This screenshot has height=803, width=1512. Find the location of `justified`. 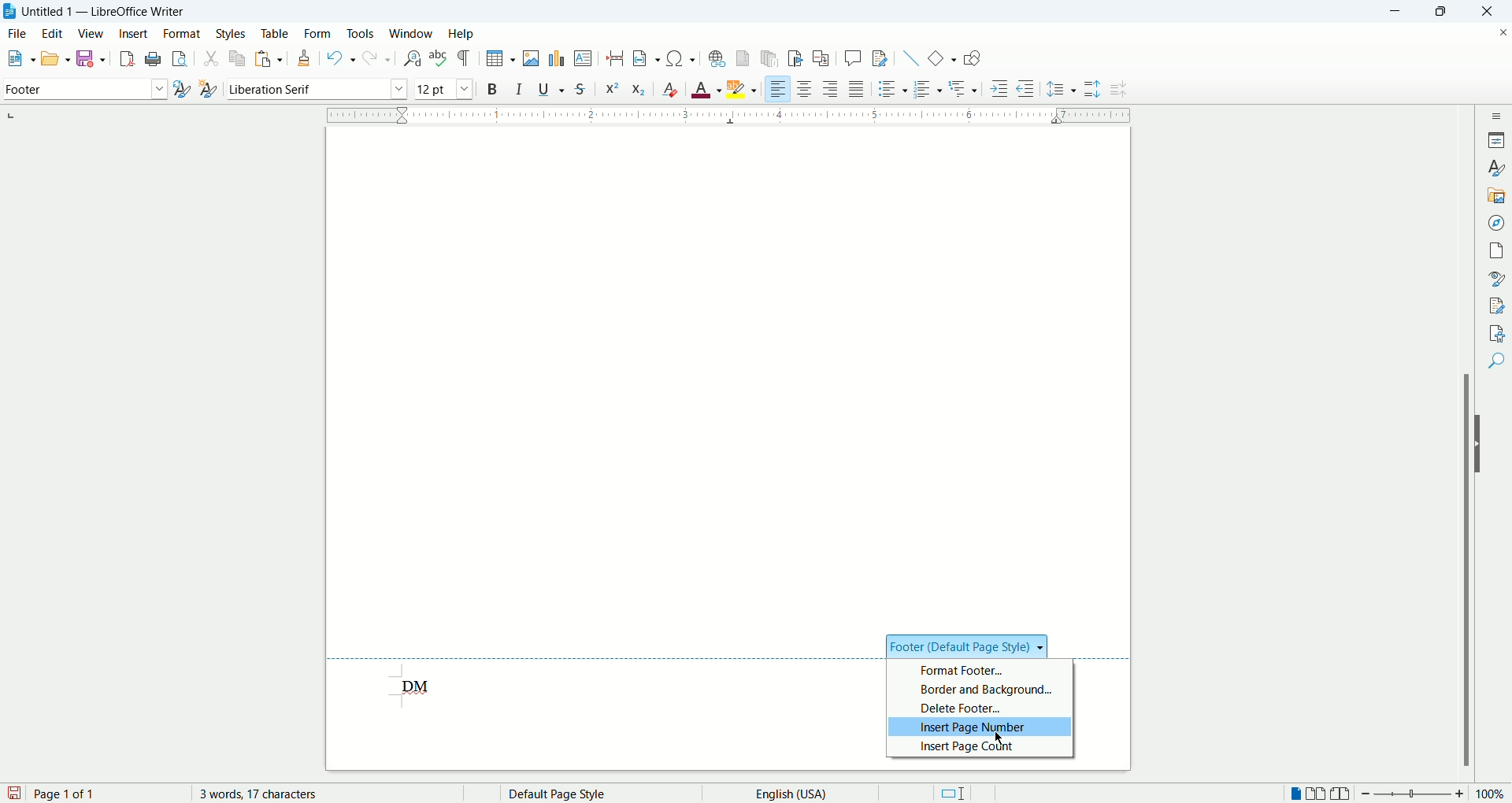

justified is located at coordinates (858, 89).